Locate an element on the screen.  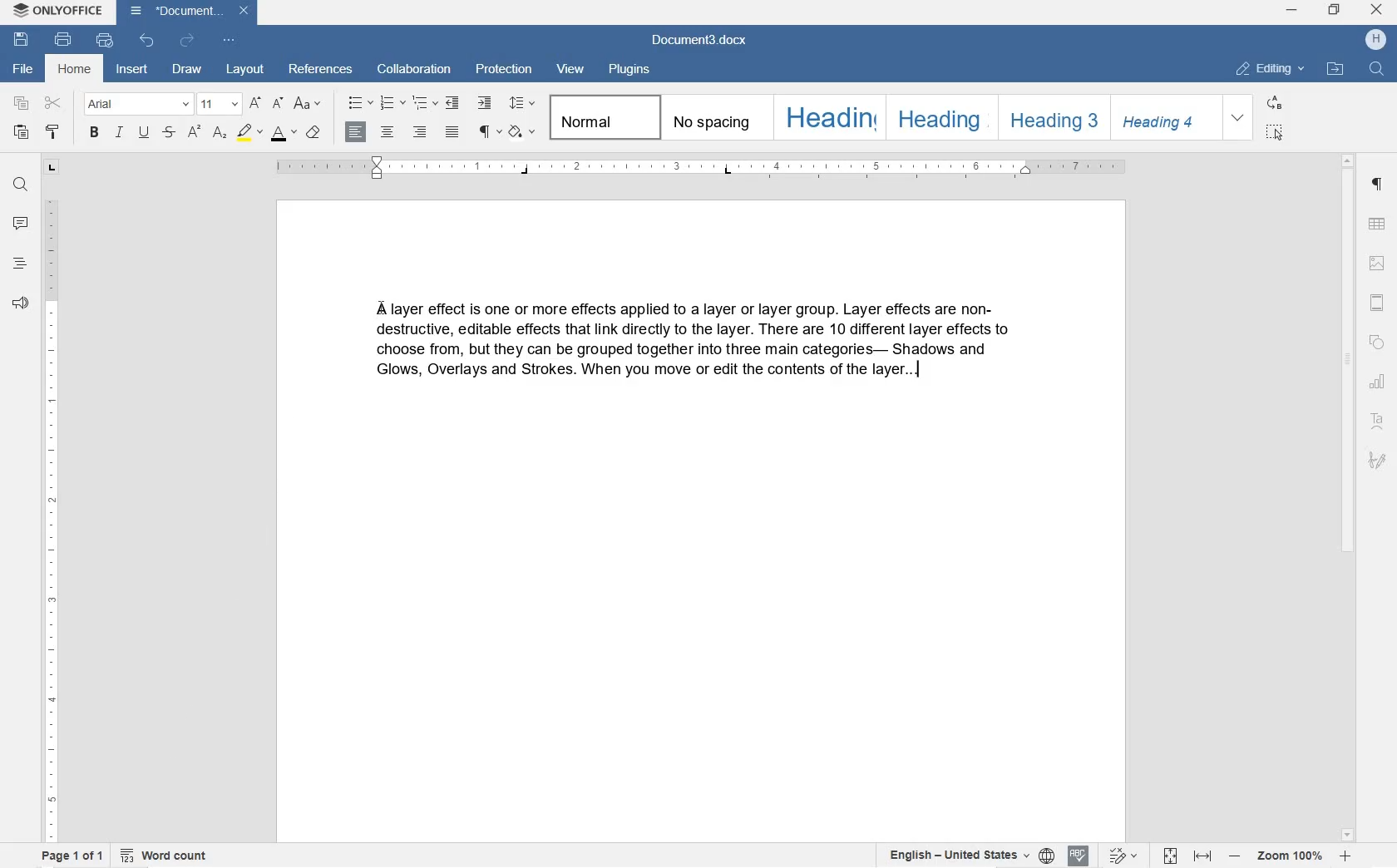
TABLE is located at coordinates (1377, 223).